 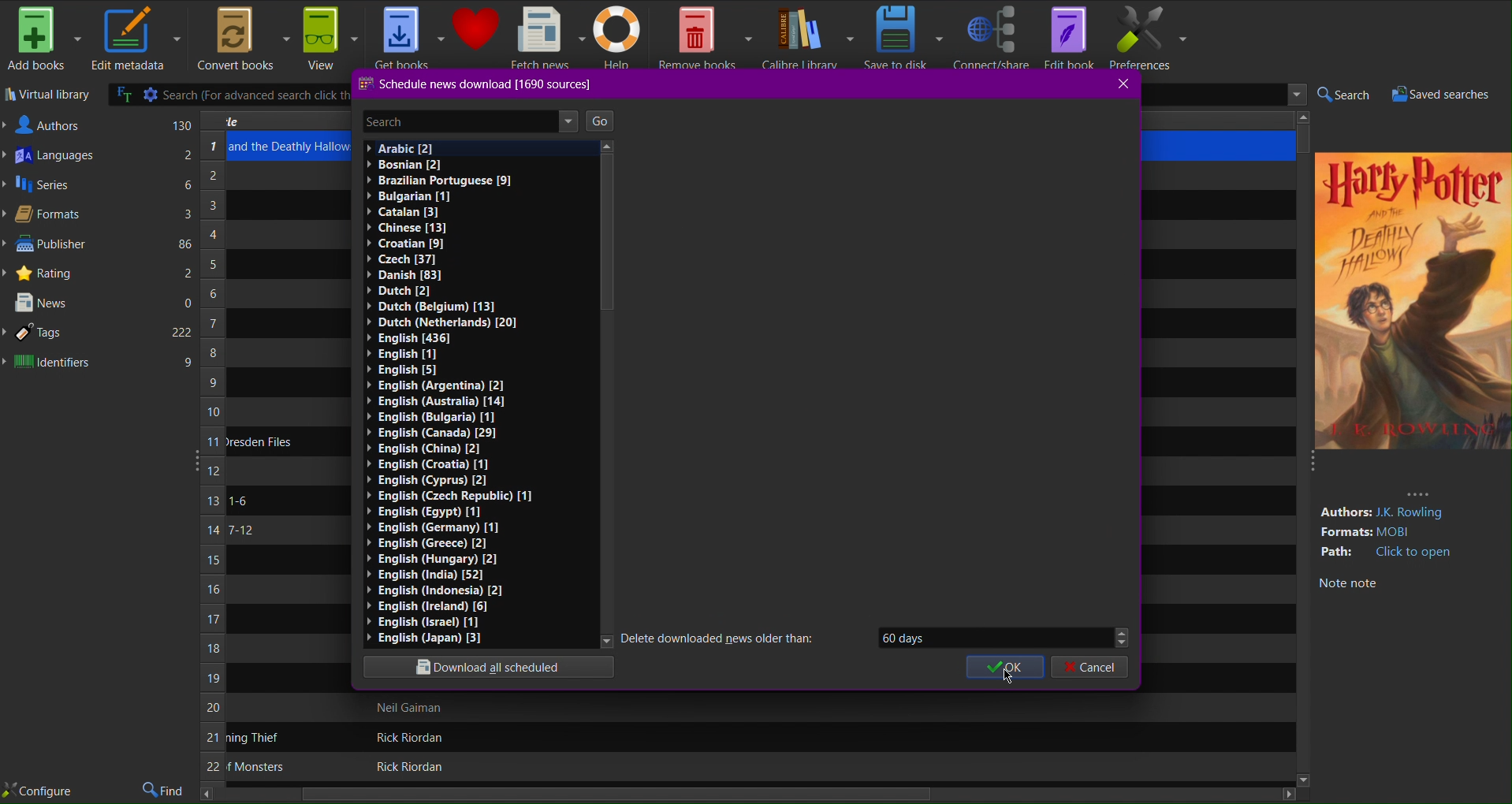 I want to click on Configure, so click(x=38, y=791).